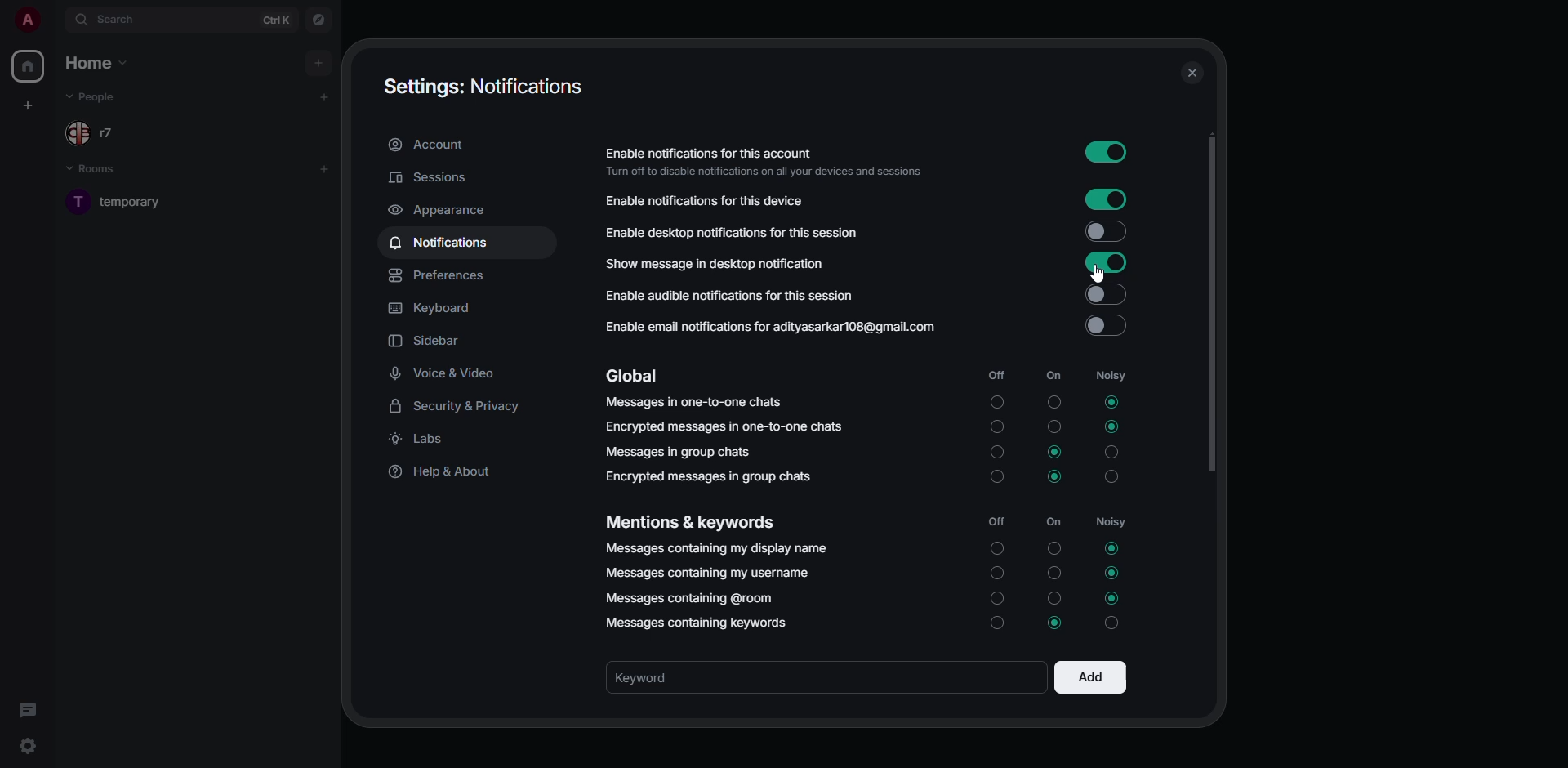 The width and height of the screenshot is (1568, 768). Describe the element at coordinates (709, 574) in the screenshot. I see `messages containing username` at that location.